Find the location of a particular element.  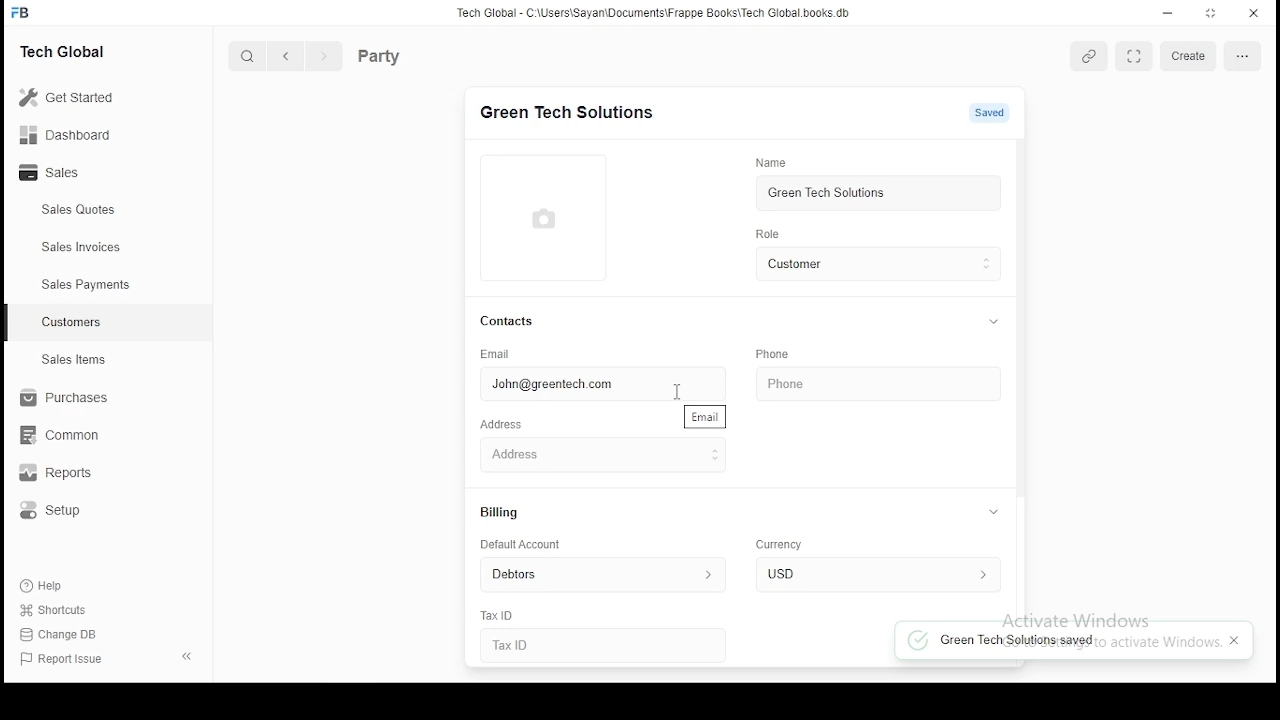

green tech solutions is located at coordinates (876, 191).